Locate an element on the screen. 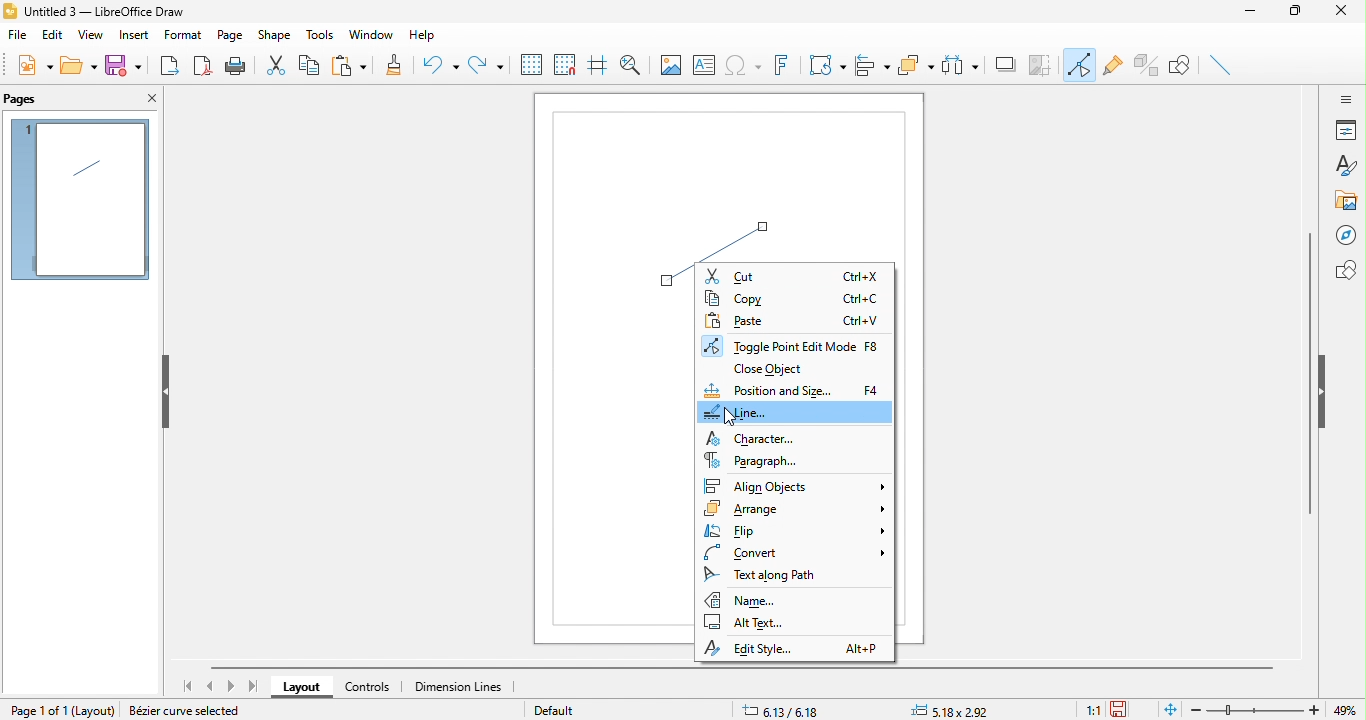  flip is located at coordinates (794, 530).